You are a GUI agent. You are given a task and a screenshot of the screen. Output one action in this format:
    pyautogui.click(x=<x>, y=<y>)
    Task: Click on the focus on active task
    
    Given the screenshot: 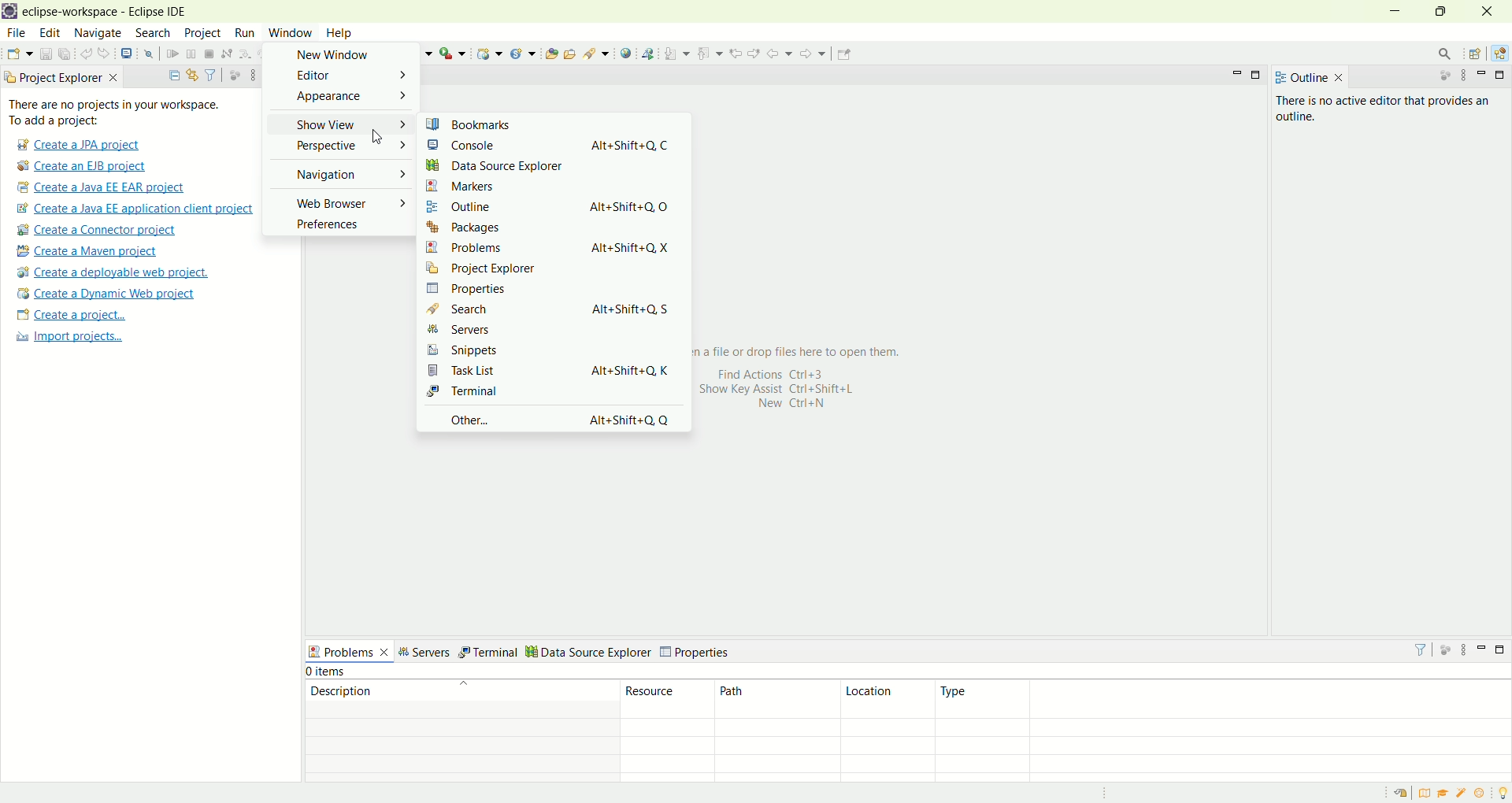 What is the action you would take?
    pyautogui.click(x=1446, y=649)
    